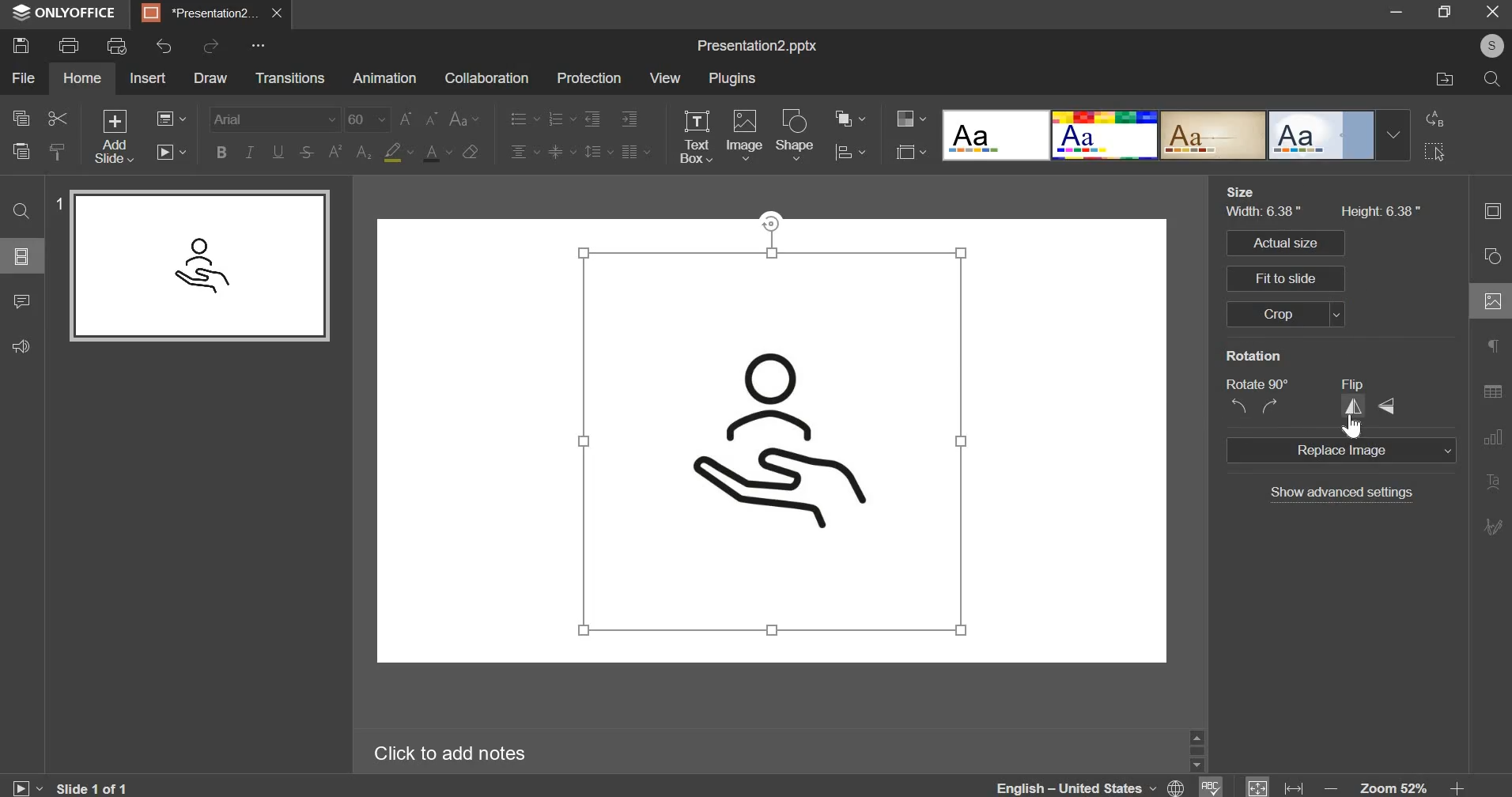 Image resolution: width=1512 pixels, height=797 pixels. Describe the element at coordinates (1443, 10) in the screenshot. I see `maximize` at that location.